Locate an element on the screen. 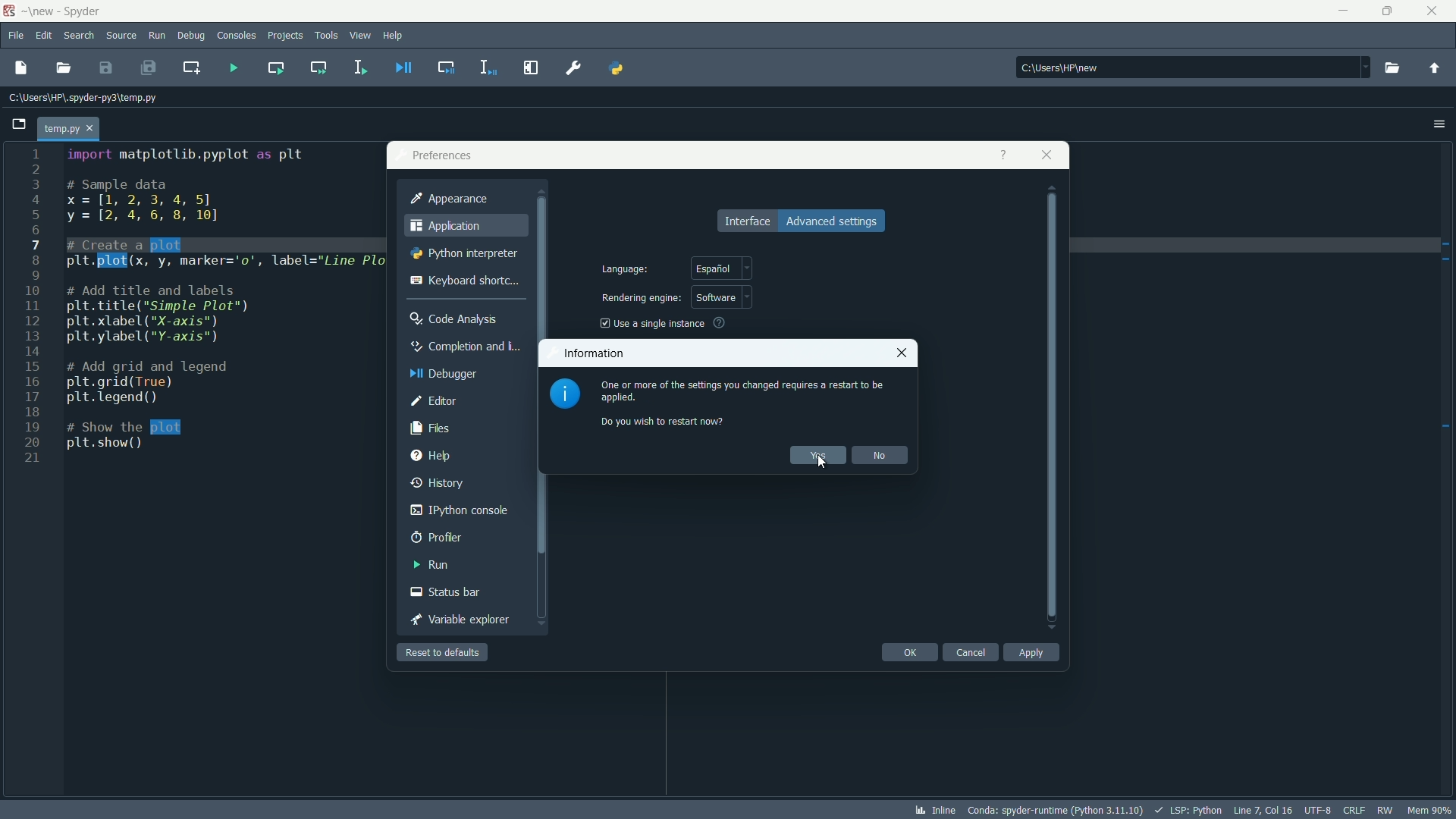 This screenshot has width=1456, height=819. maximize current pane is located at coordinates (530, 67).